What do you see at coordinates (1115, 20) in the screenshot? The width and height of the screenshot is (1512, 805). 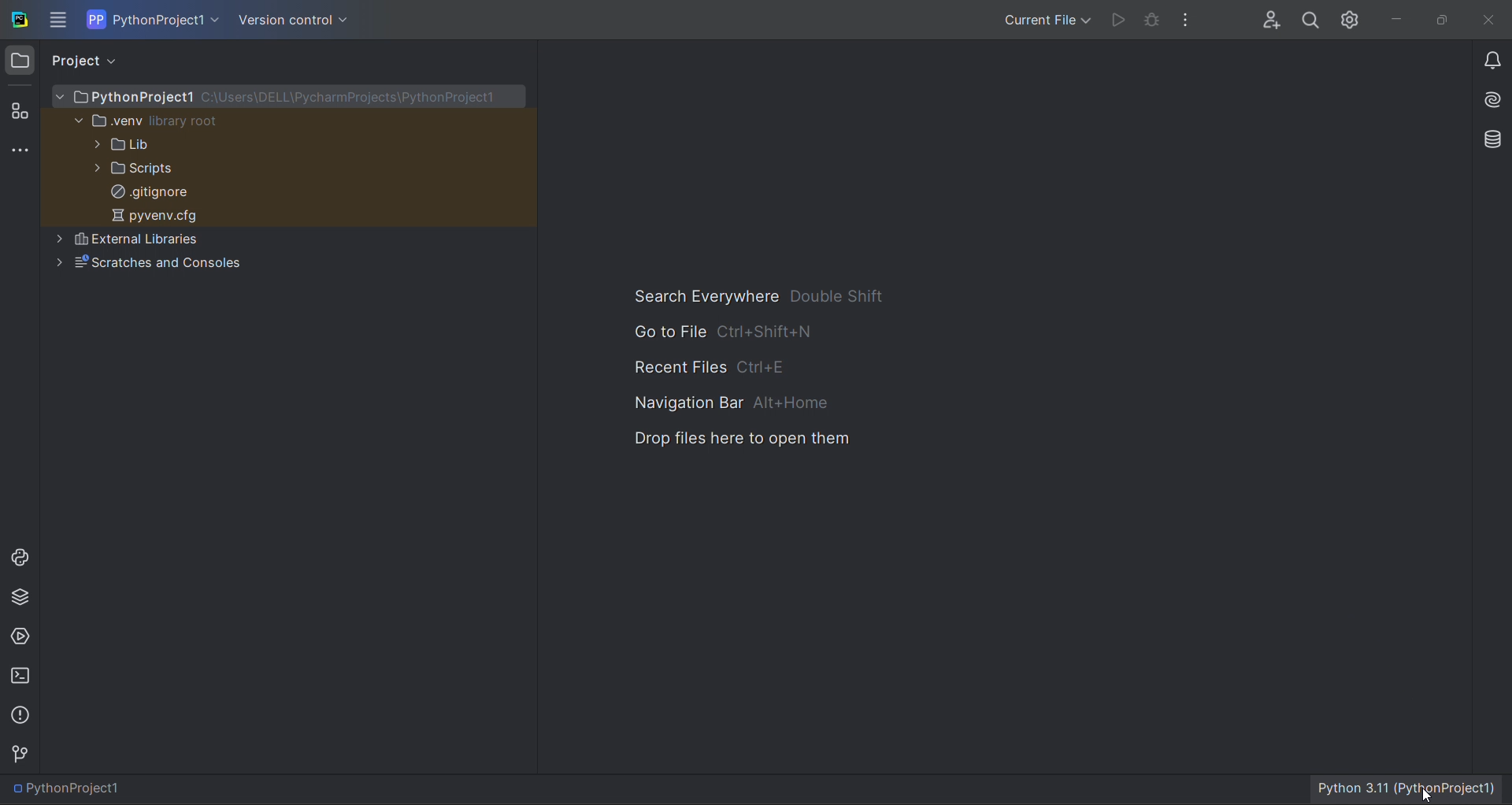 I see `run` at bounding box center [1115, 20].